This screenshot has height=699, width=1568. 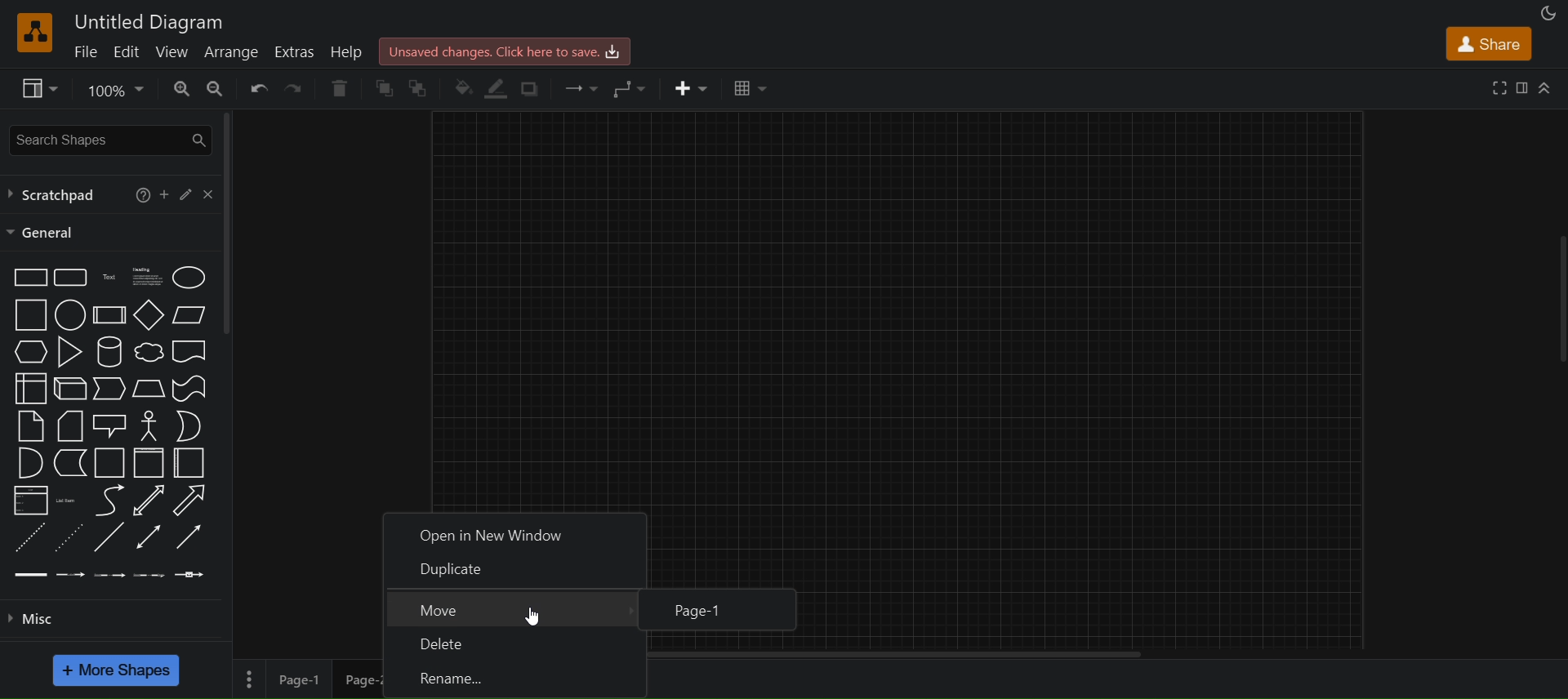 I want to click on hexagon, so click(x=32, y=352).